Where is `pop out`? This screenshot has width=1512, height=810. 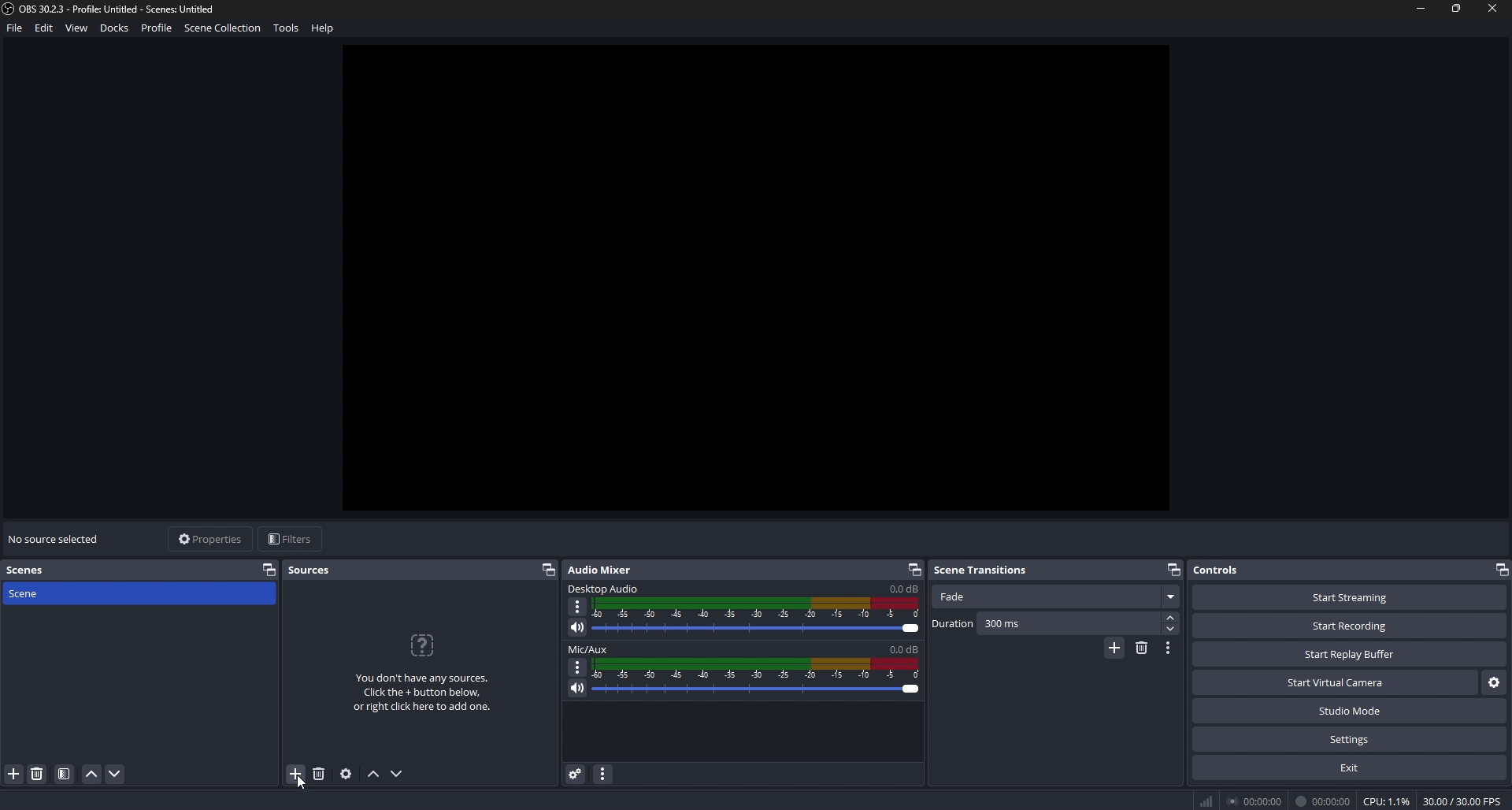 pop out is located at coordinates (269, 569).